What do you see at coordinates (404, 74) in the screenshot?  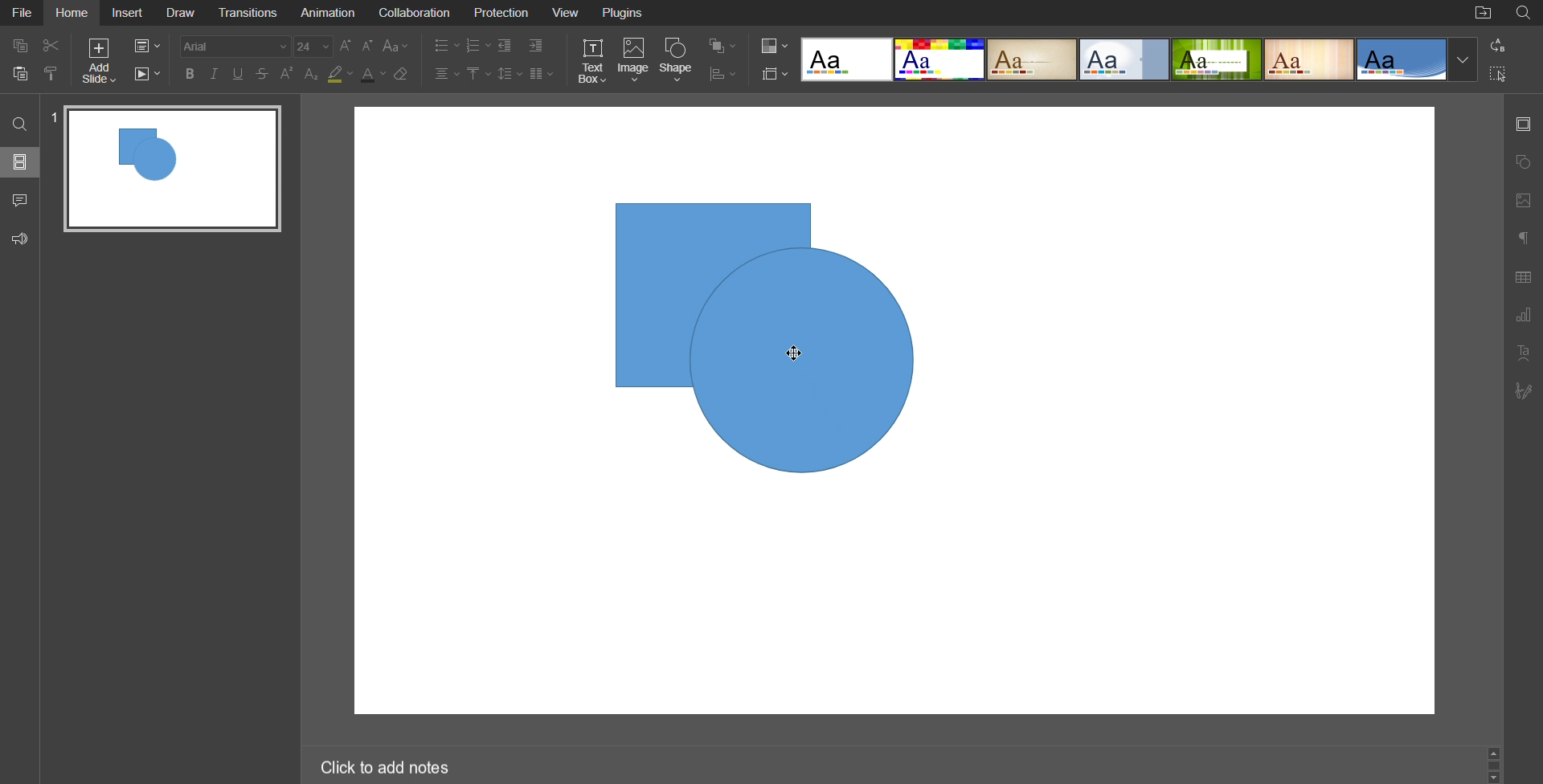 I see `Erase` at bounding box center [404, 74].